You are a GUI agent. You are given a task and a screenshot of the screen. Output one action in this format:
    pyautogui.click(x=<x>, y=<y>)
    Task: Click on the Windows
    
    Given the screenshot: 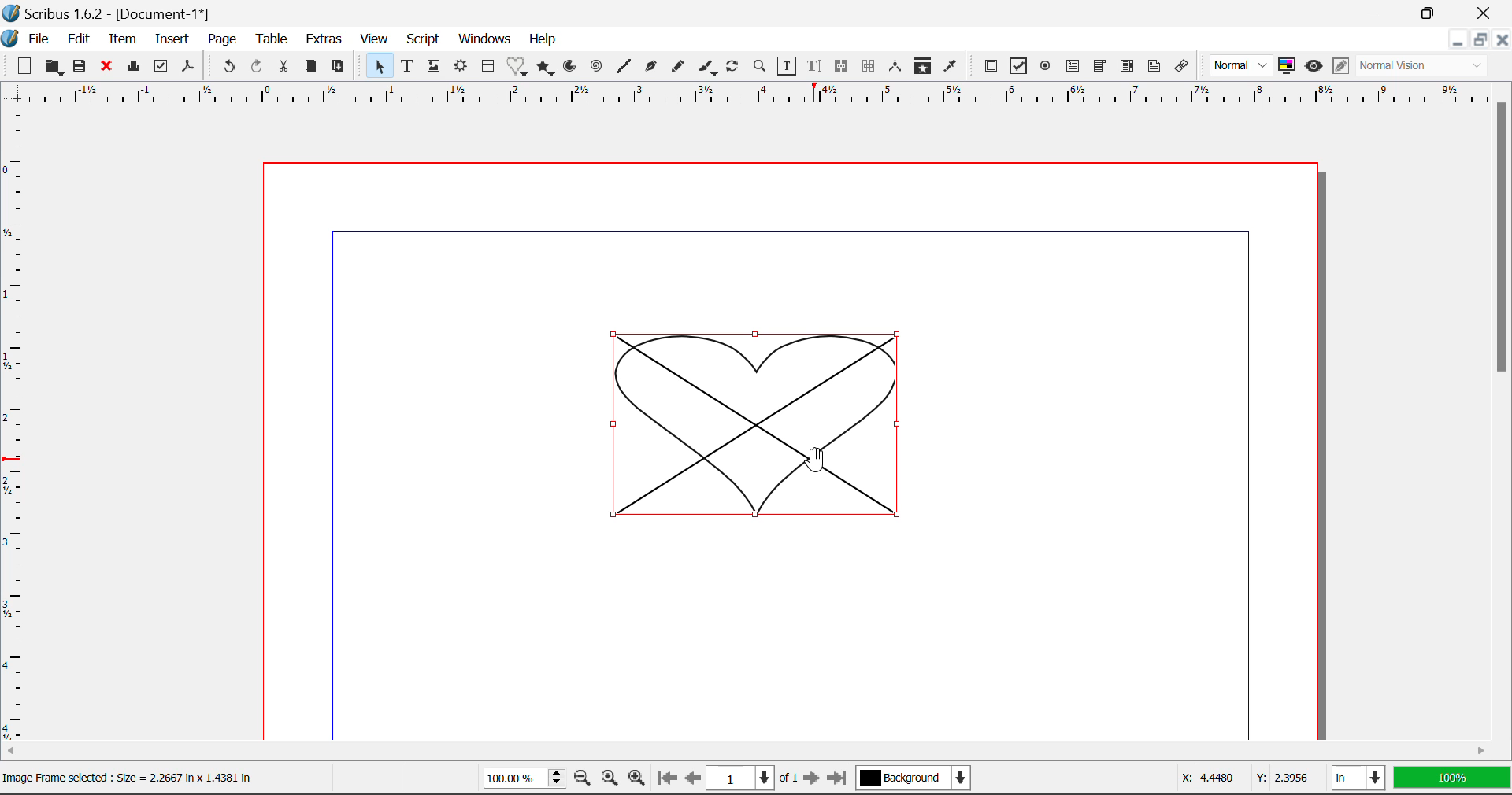 What is the action you would take?
    pyautogui.click(x=485, y=39)
    